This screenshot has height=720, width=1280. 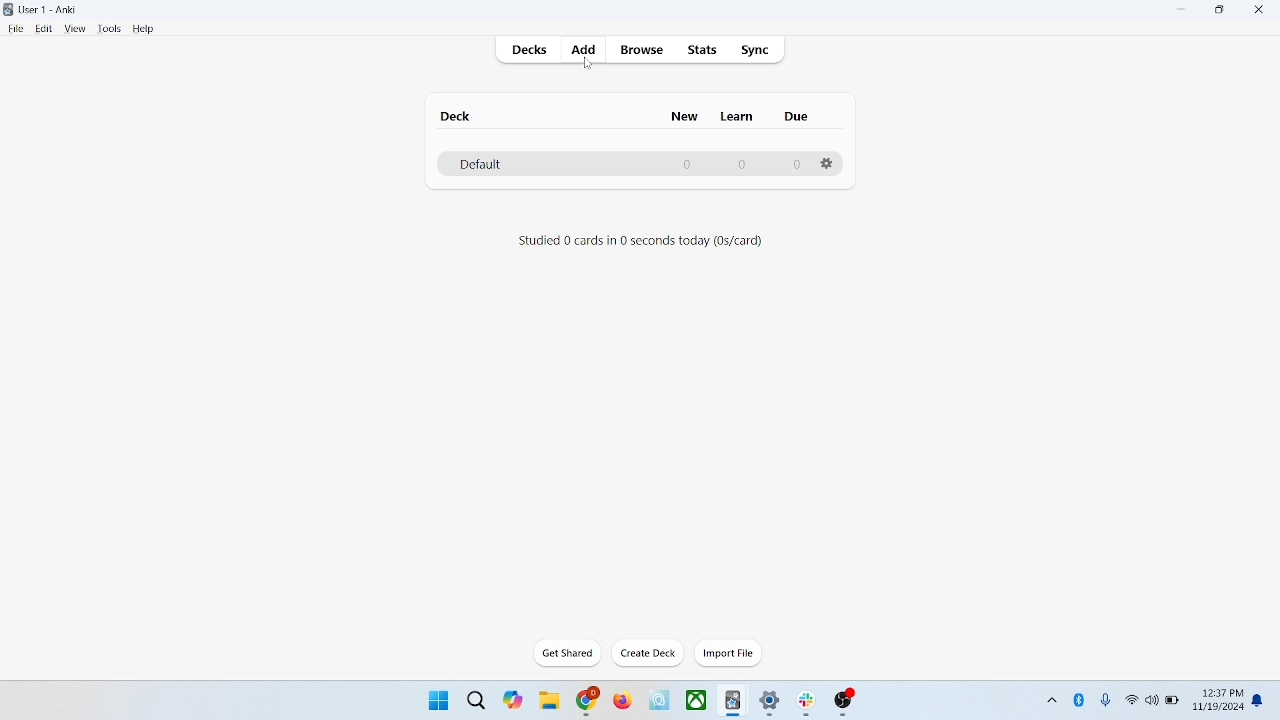 I want to click on firefox, so click(x=622, y=701).